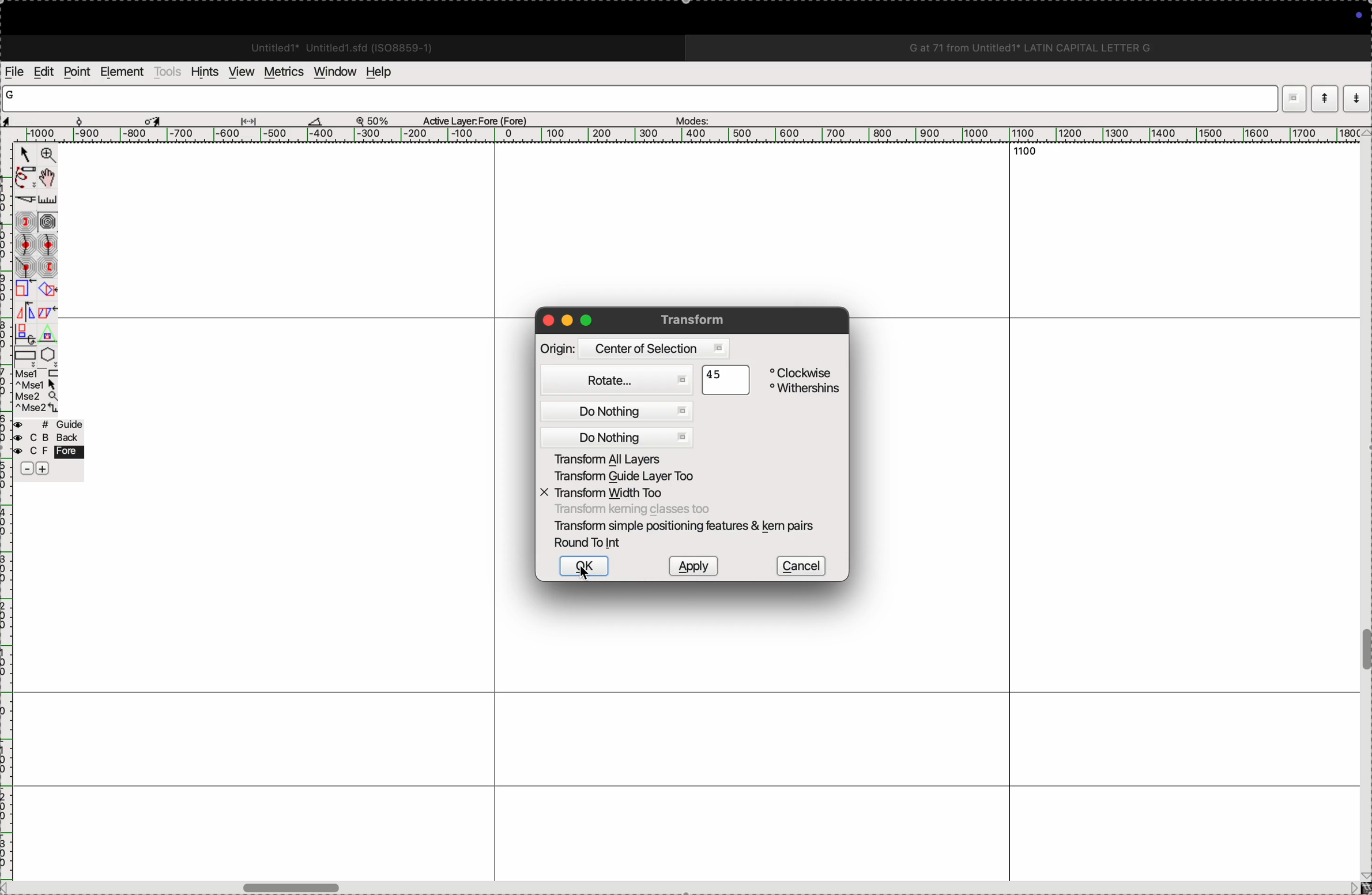  What do you see at coordinates (48, 451) in the screenshot?
I see `fore layer` at bounding box center [48, 451].